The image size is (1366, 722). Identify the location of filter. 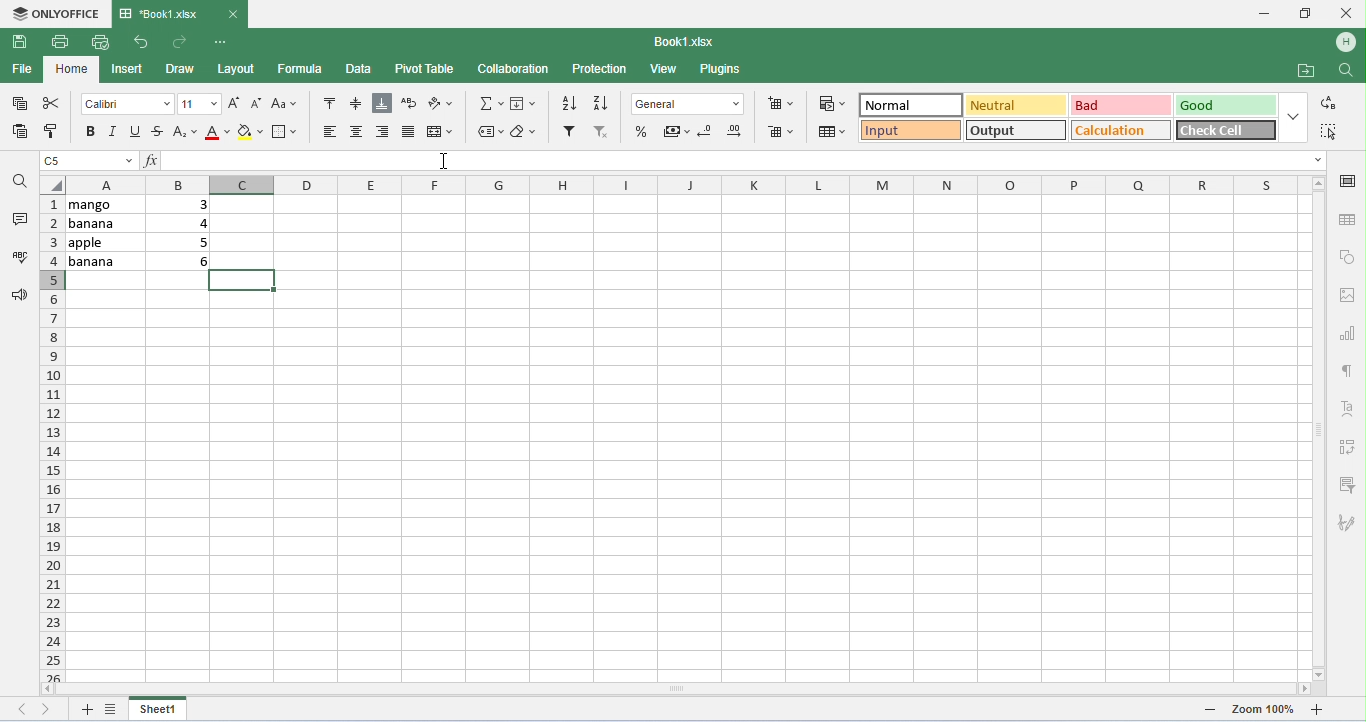
(569, 133).